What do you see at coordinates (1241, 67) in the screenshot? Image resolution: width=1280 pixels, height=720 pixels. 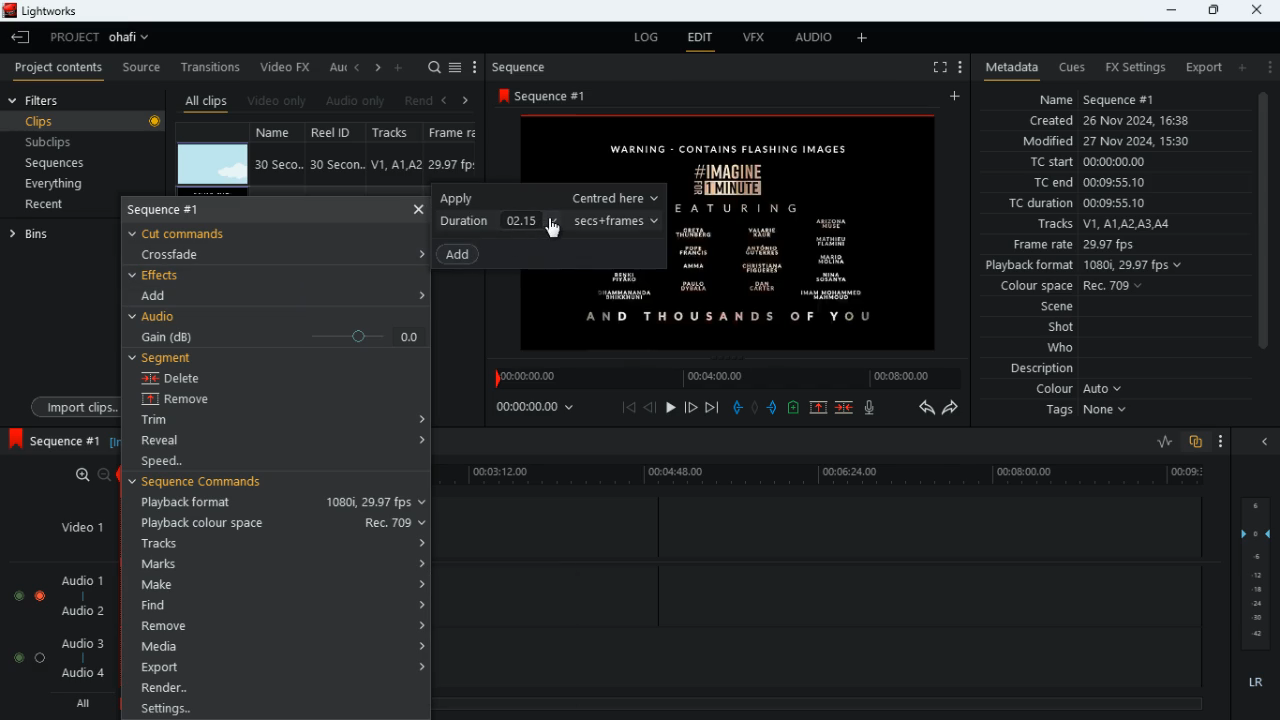 I see `add` at bounding box center [1241, 67].